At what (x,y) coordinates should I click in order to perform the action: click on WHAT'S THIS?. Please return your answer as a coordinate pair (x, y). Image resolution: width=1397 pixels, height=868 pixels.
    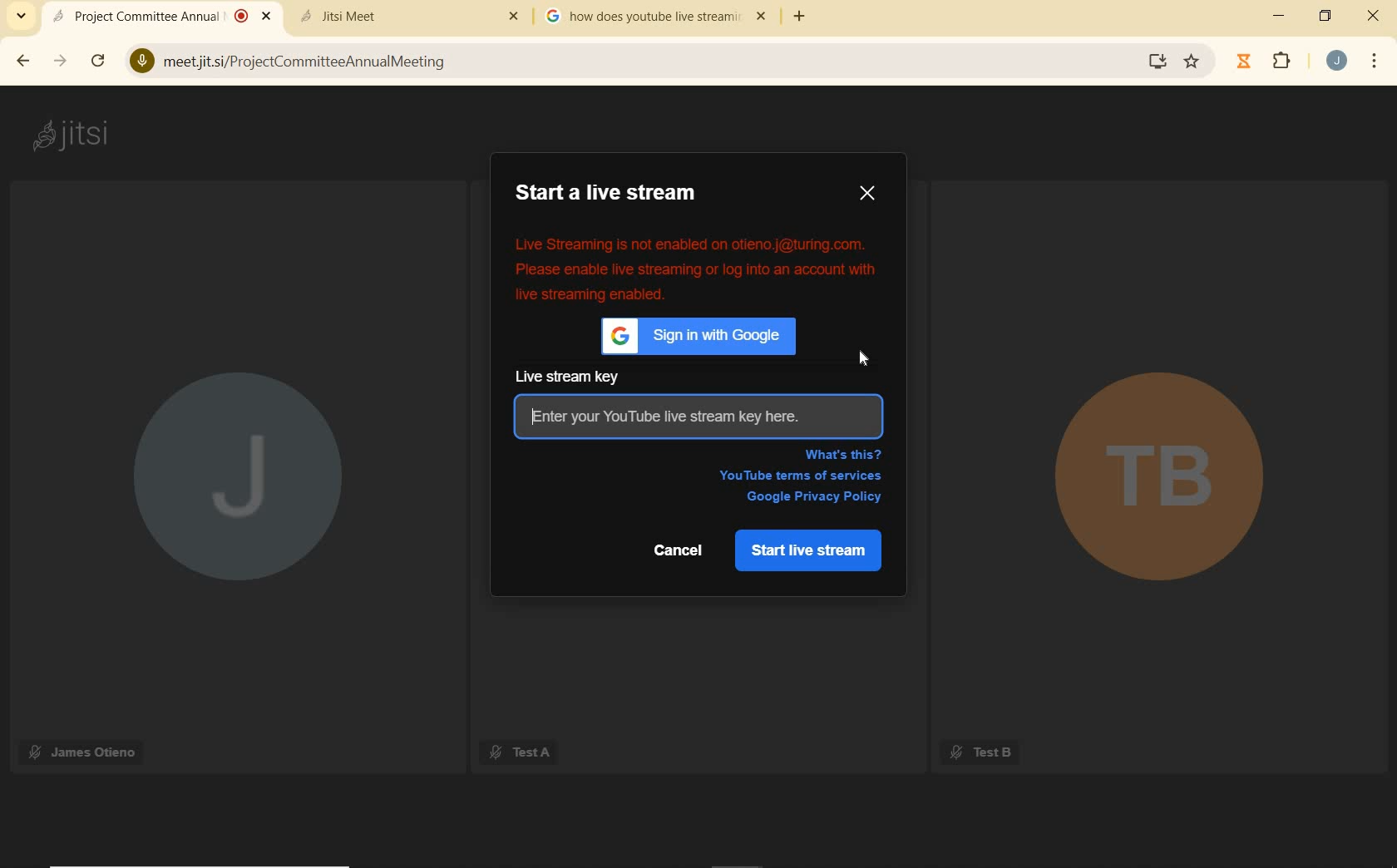
    Looking at the image, I should click on (844, 455).